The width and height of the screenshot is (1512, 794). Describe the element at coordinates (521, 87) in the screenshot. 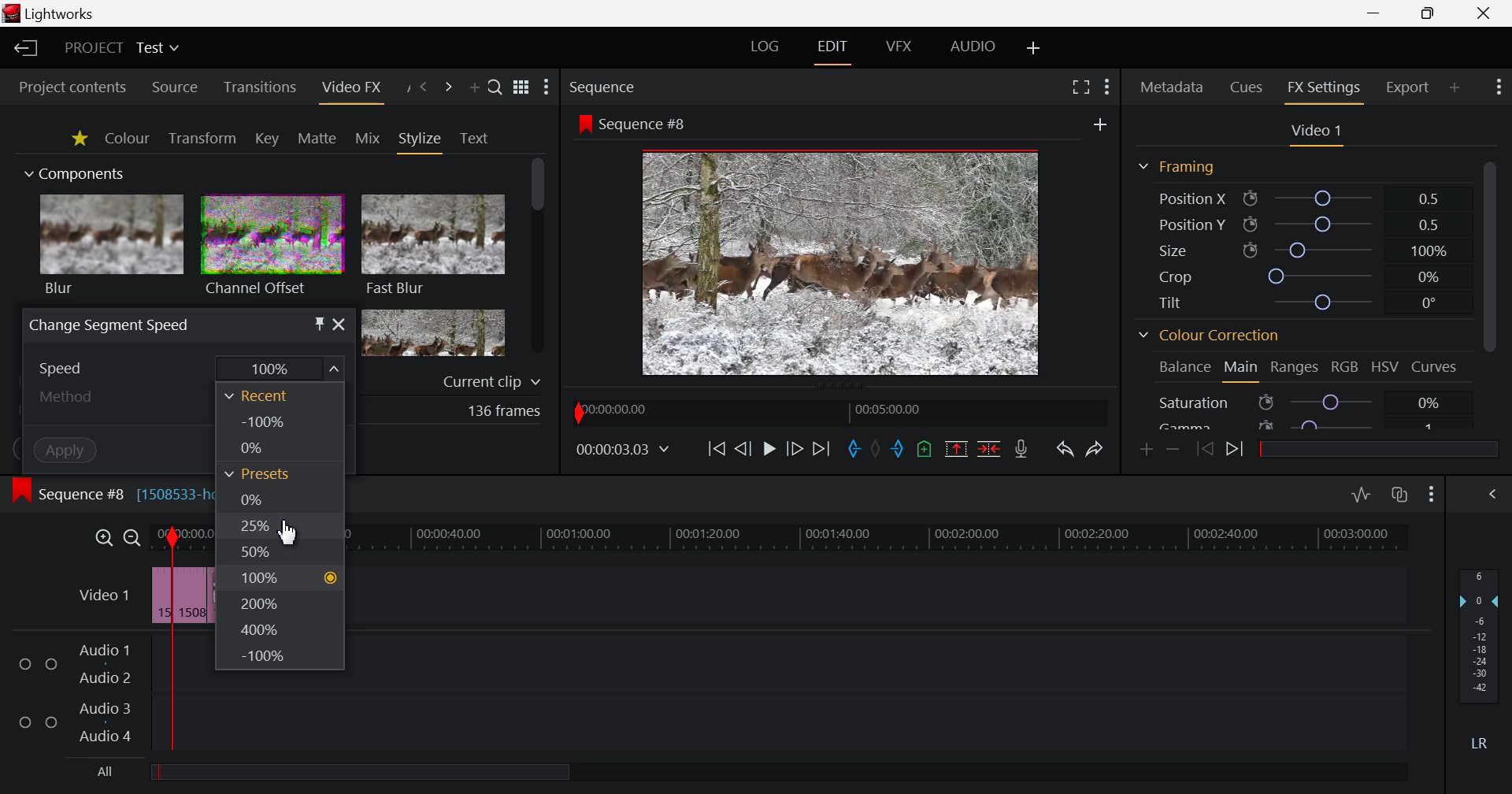

I see `Toggle between list and title view` at that location.